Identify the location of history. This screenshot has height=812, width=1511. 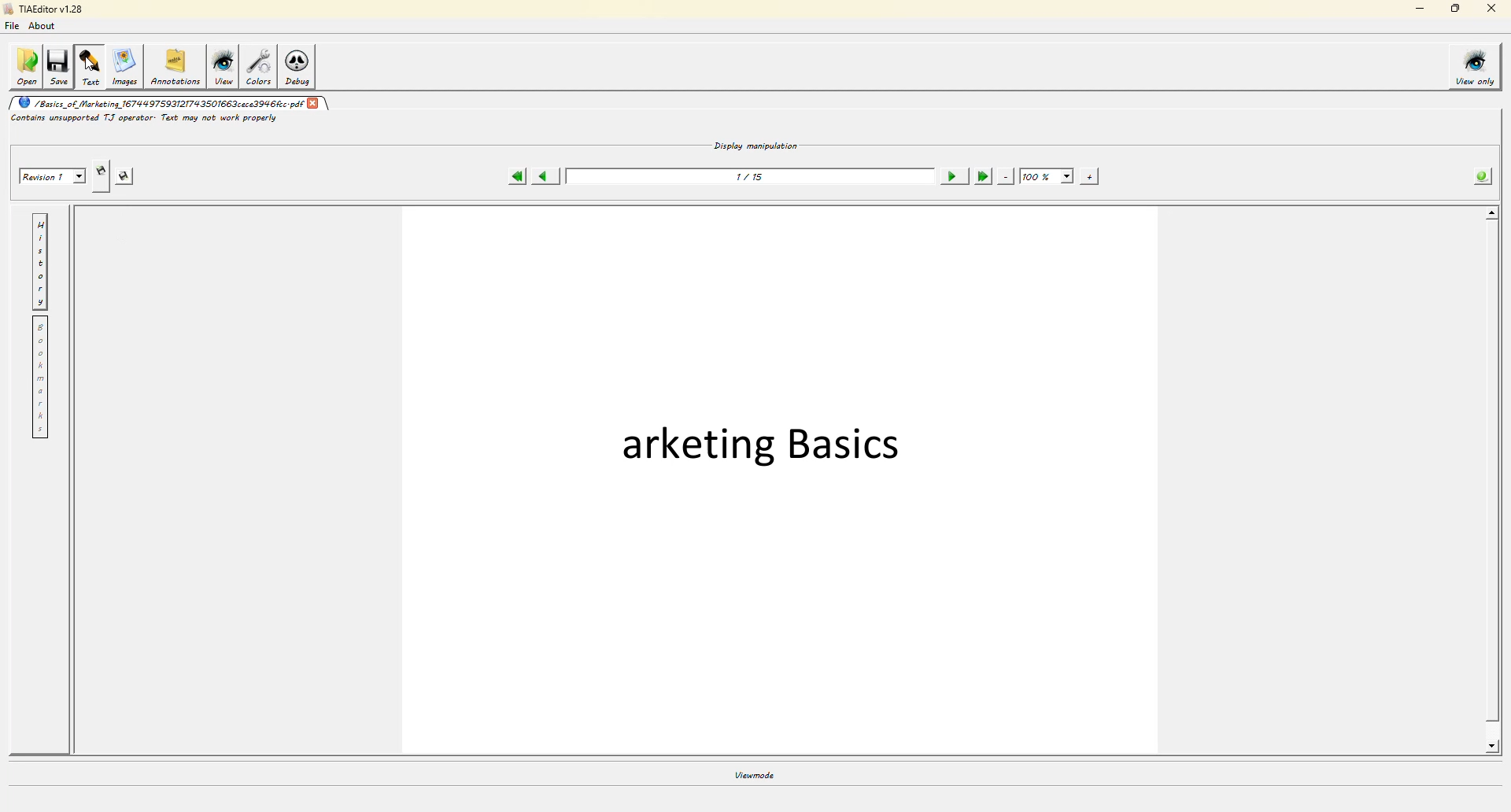
(39, 264).